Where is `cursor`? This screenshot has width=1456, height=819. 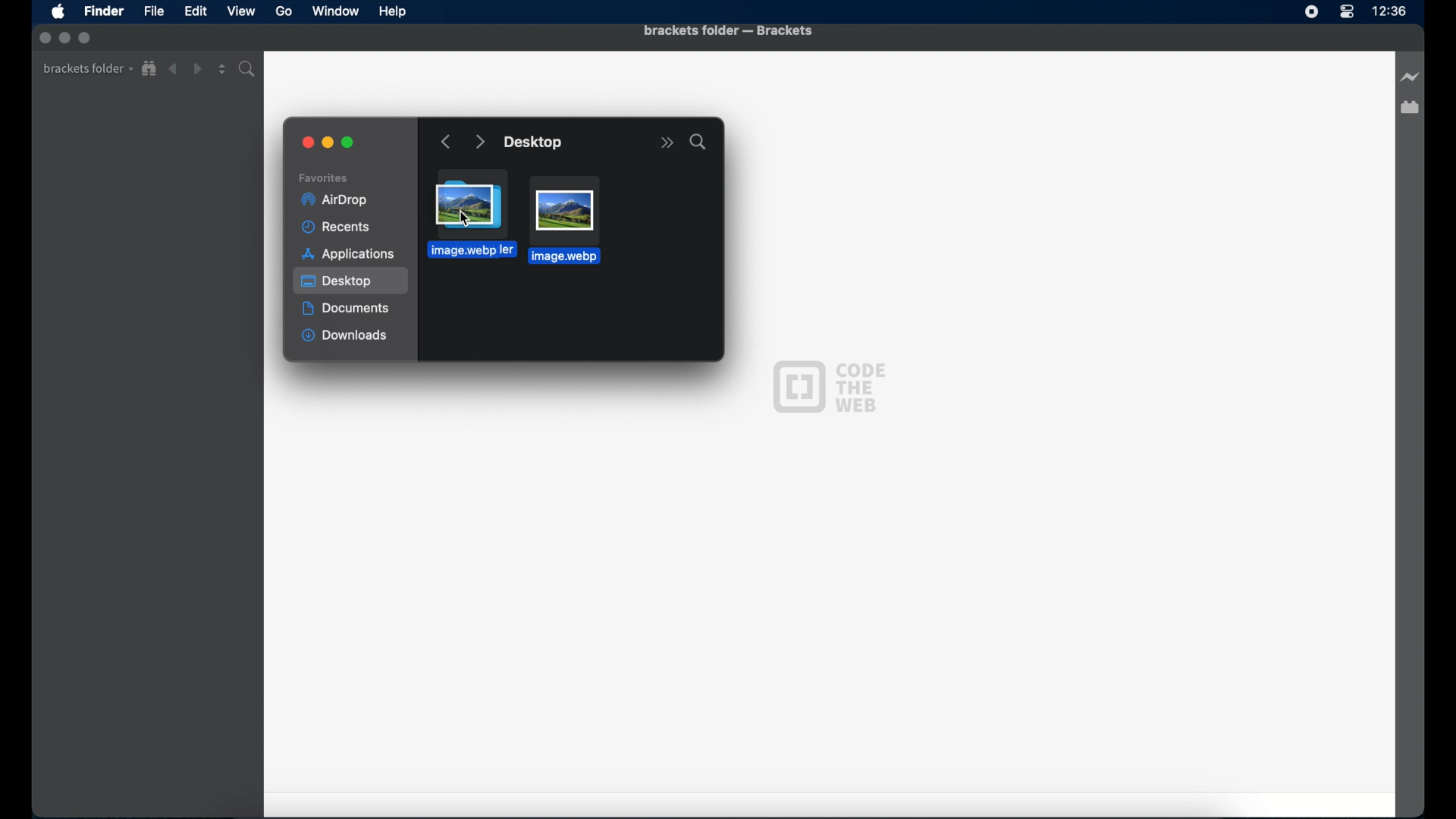
cursor is located at coordinates (465, 218).